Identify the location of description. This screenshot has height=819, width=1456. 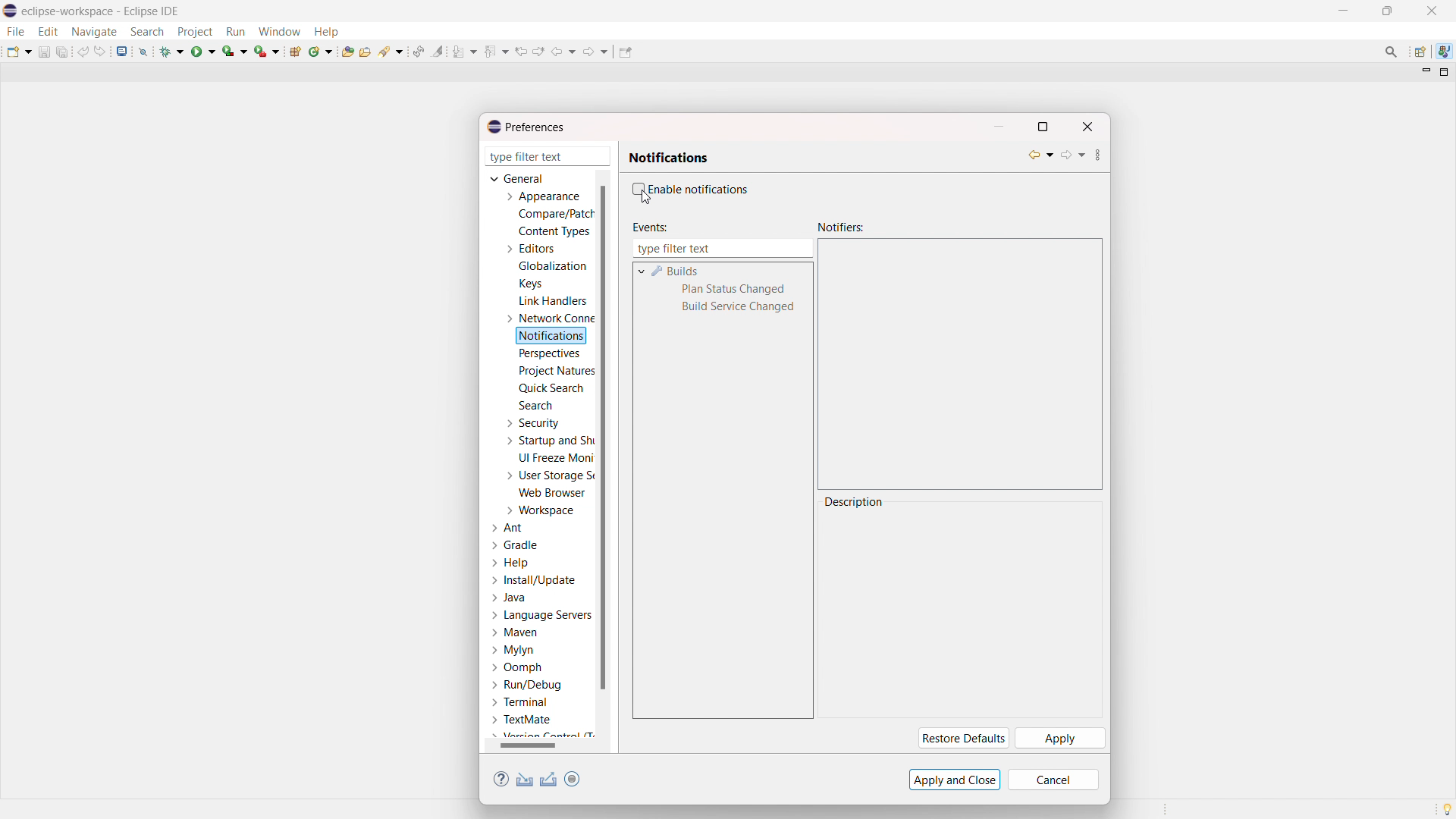
(855, 502).